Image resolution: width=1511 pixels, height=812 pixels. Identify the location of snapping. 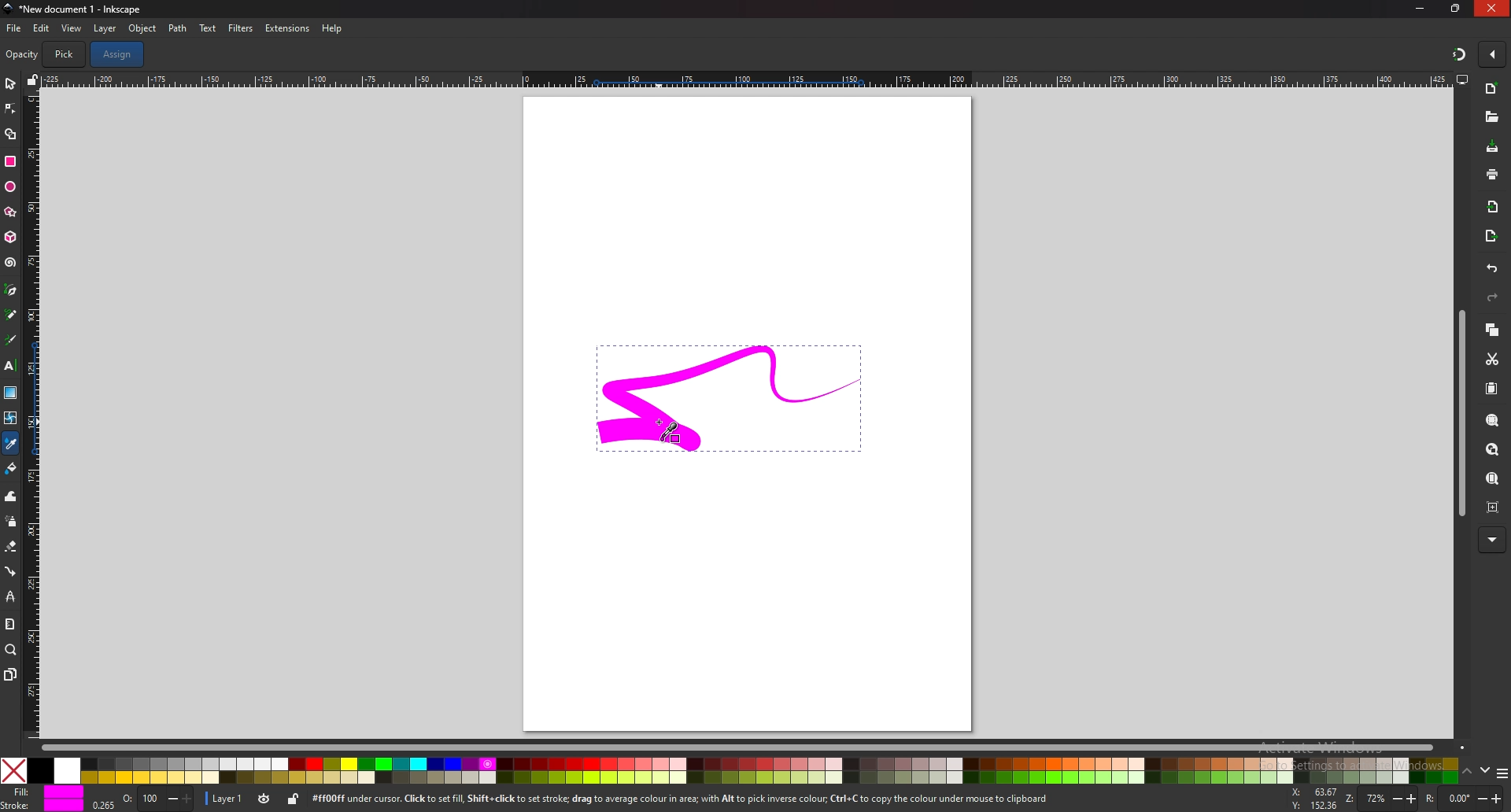
(1461, 54).